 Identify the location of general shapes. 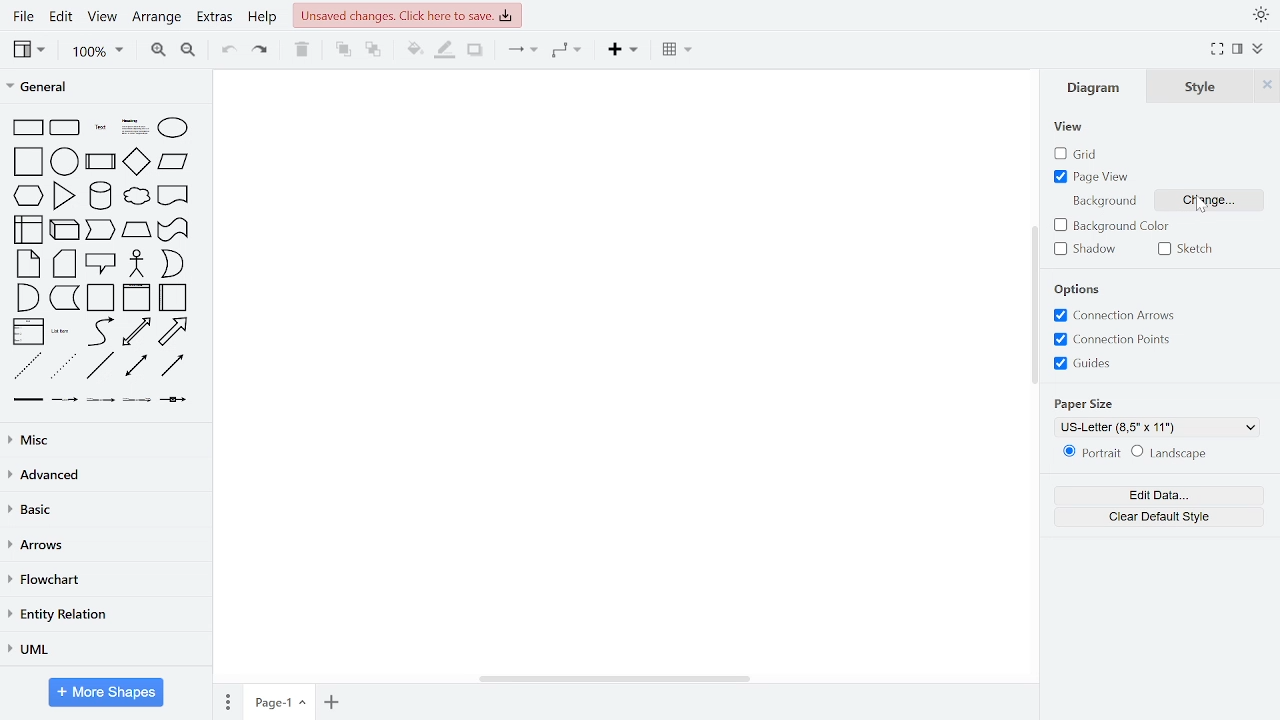
(135, 262).